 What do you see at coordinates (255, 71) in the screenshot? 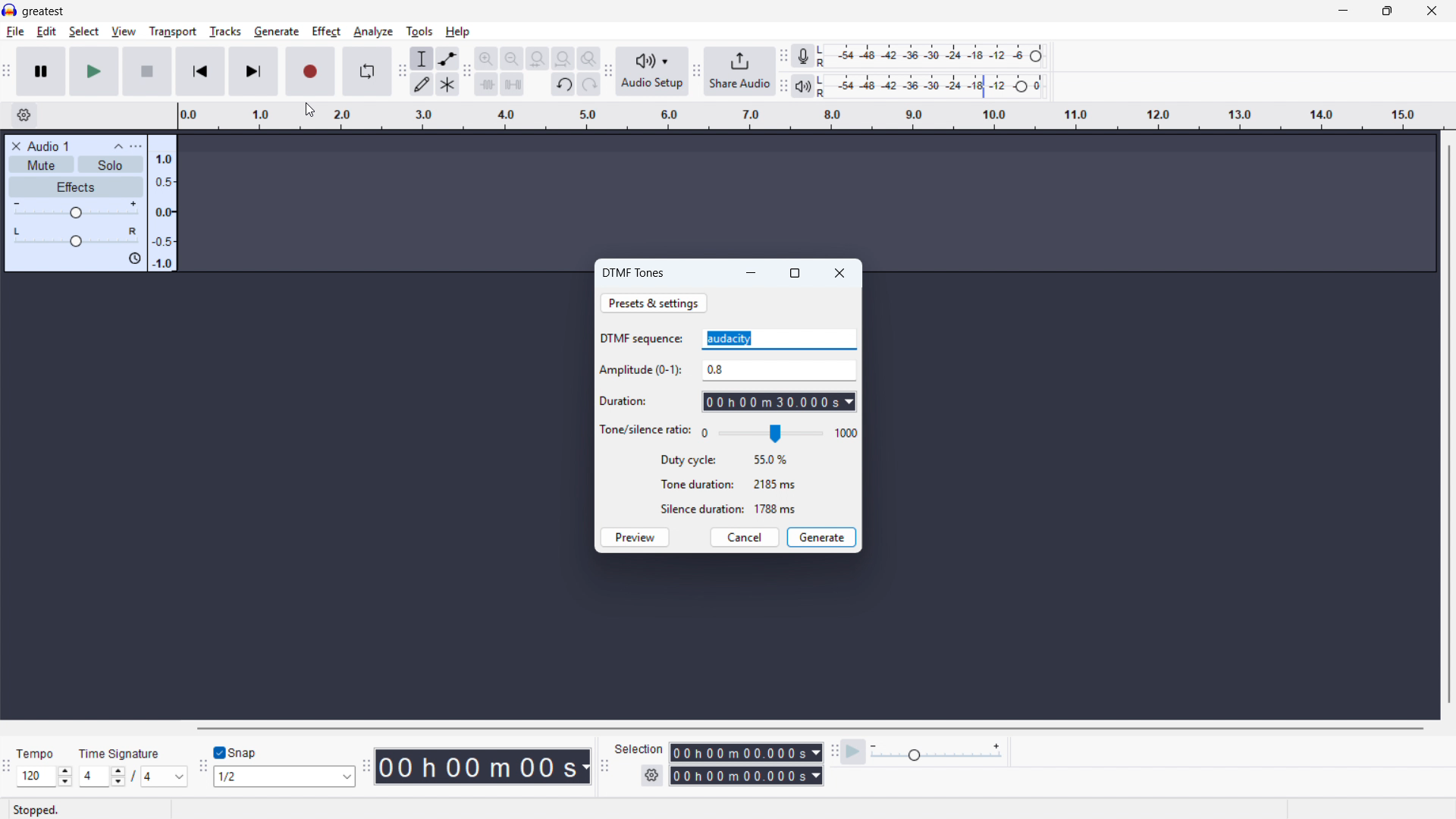
I see `skip to end` at bounding box center [255, 71].